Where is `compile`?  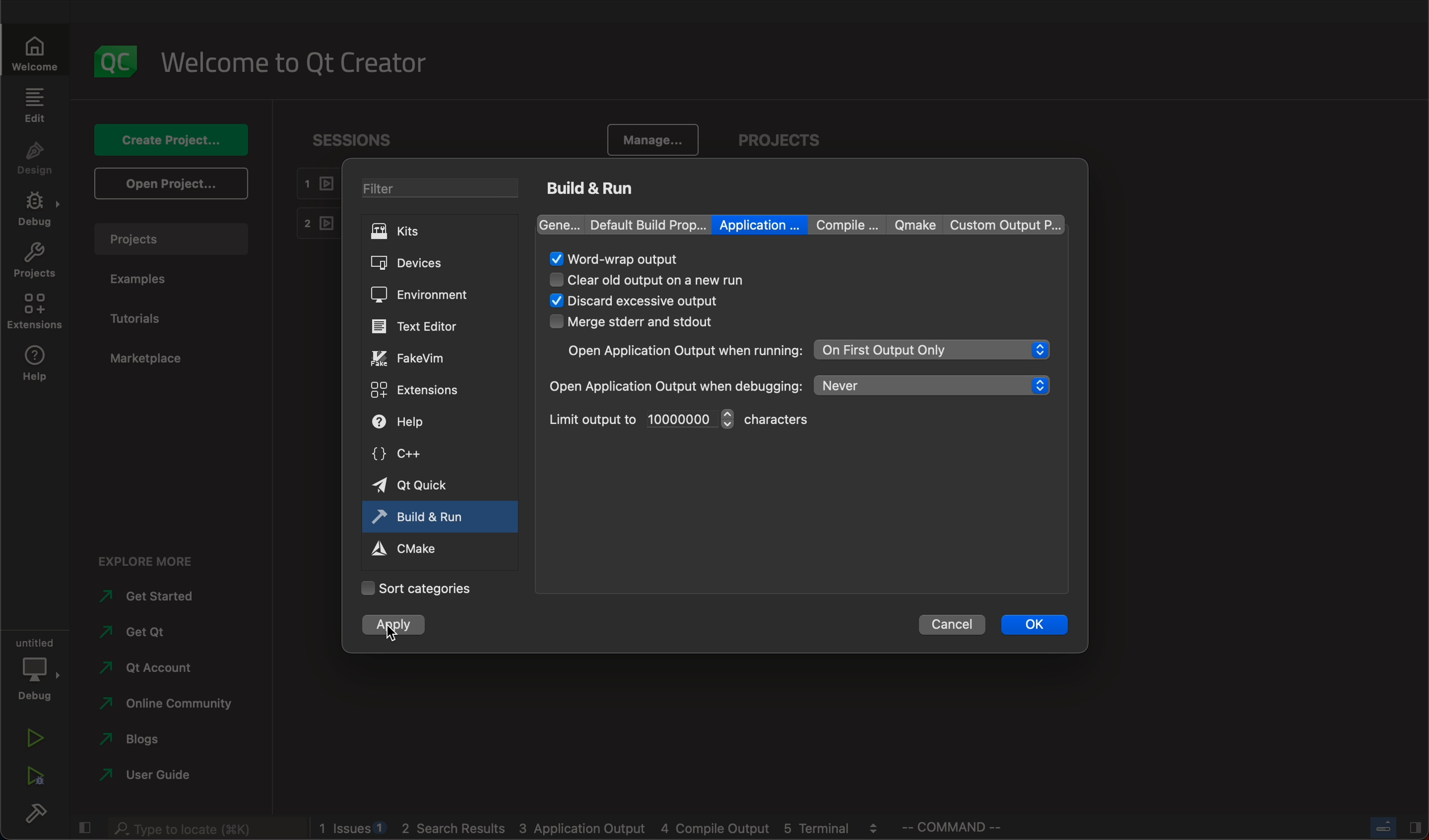
compile is located at coordinates (844, 226).